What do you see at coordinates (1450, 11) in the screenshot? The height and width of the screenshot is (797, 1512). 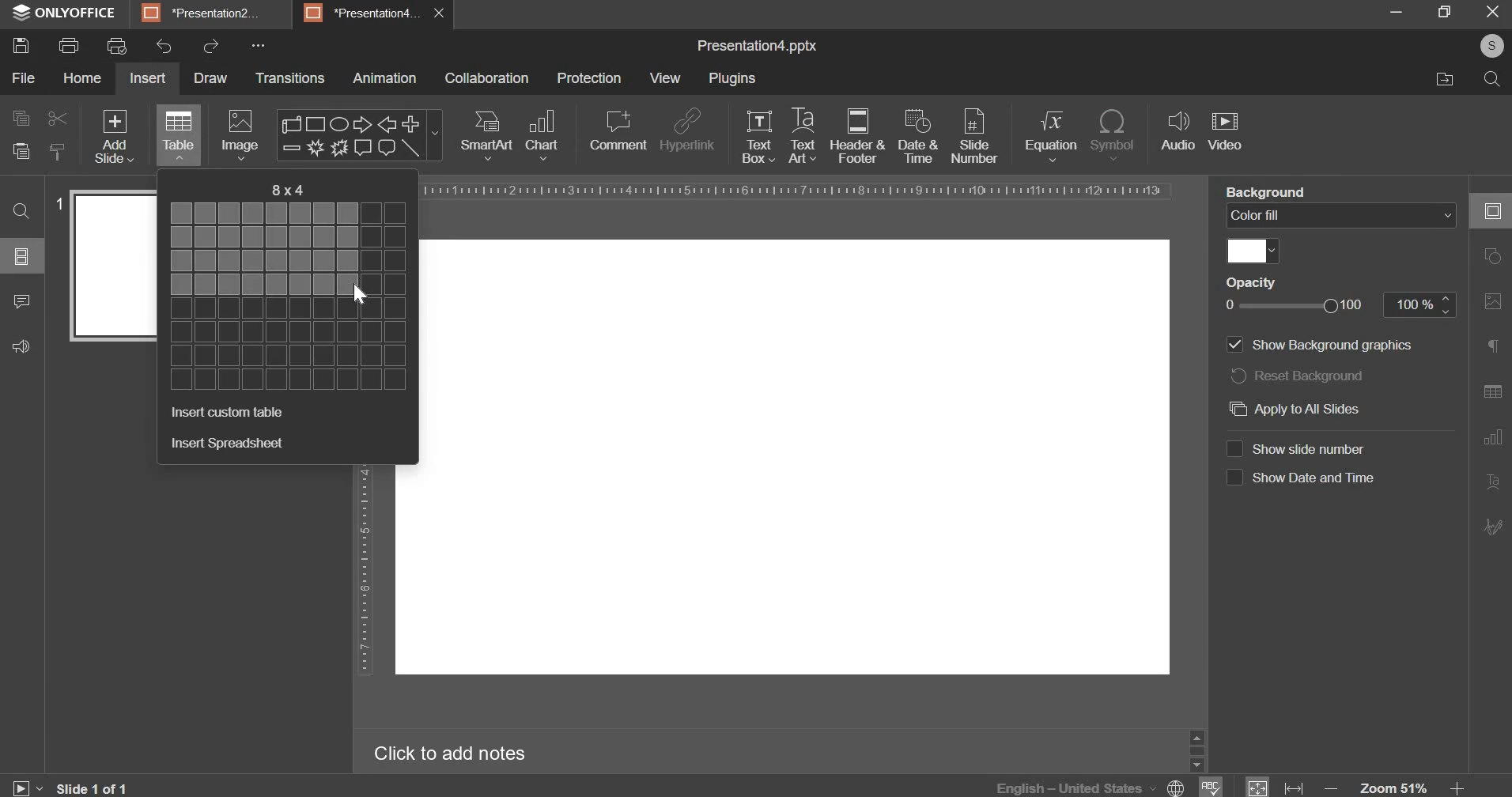 I see `restore down` at bounding box center [1450, 11].